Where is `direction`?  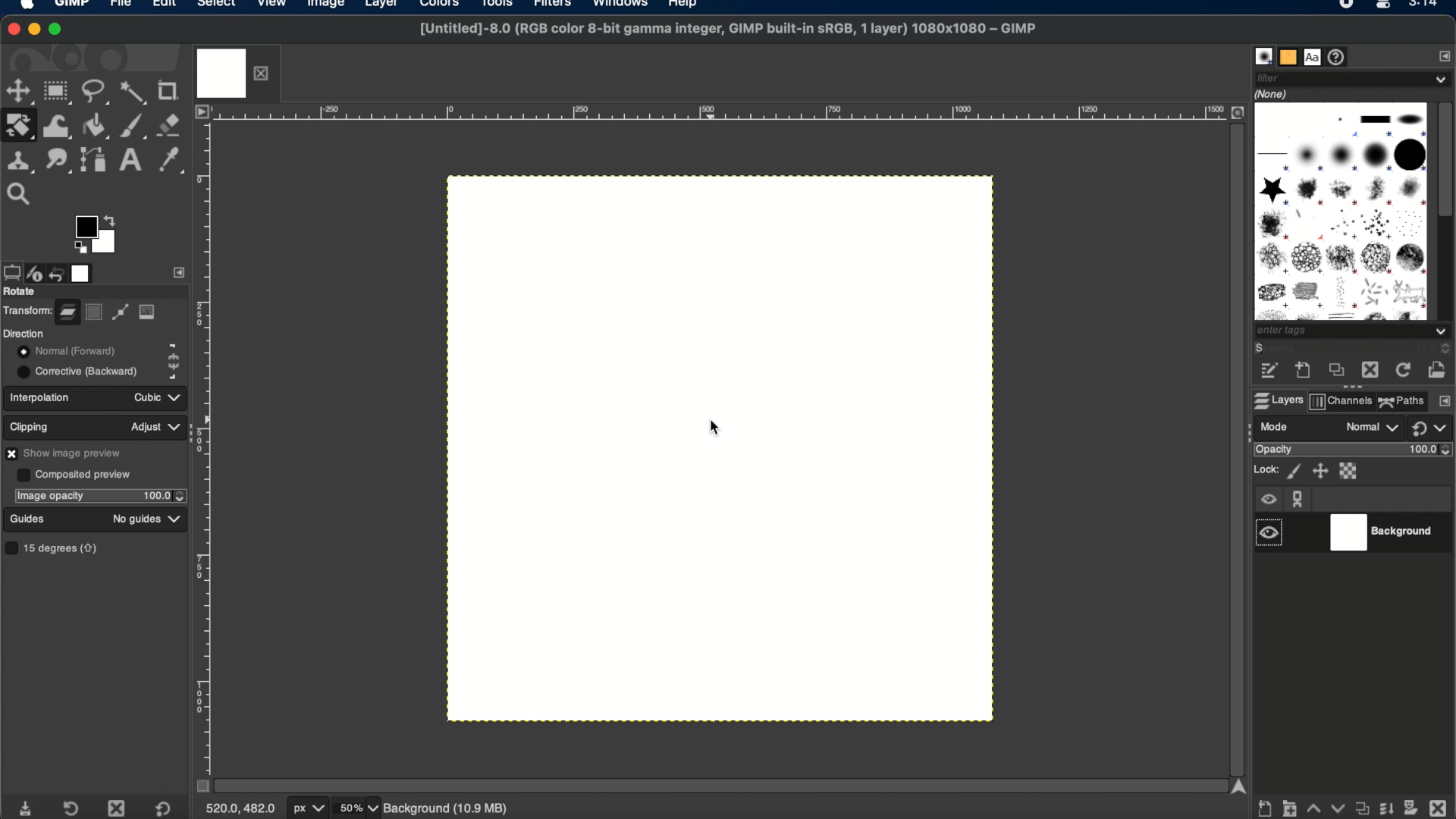
direction is located at coordinates (24, 333).